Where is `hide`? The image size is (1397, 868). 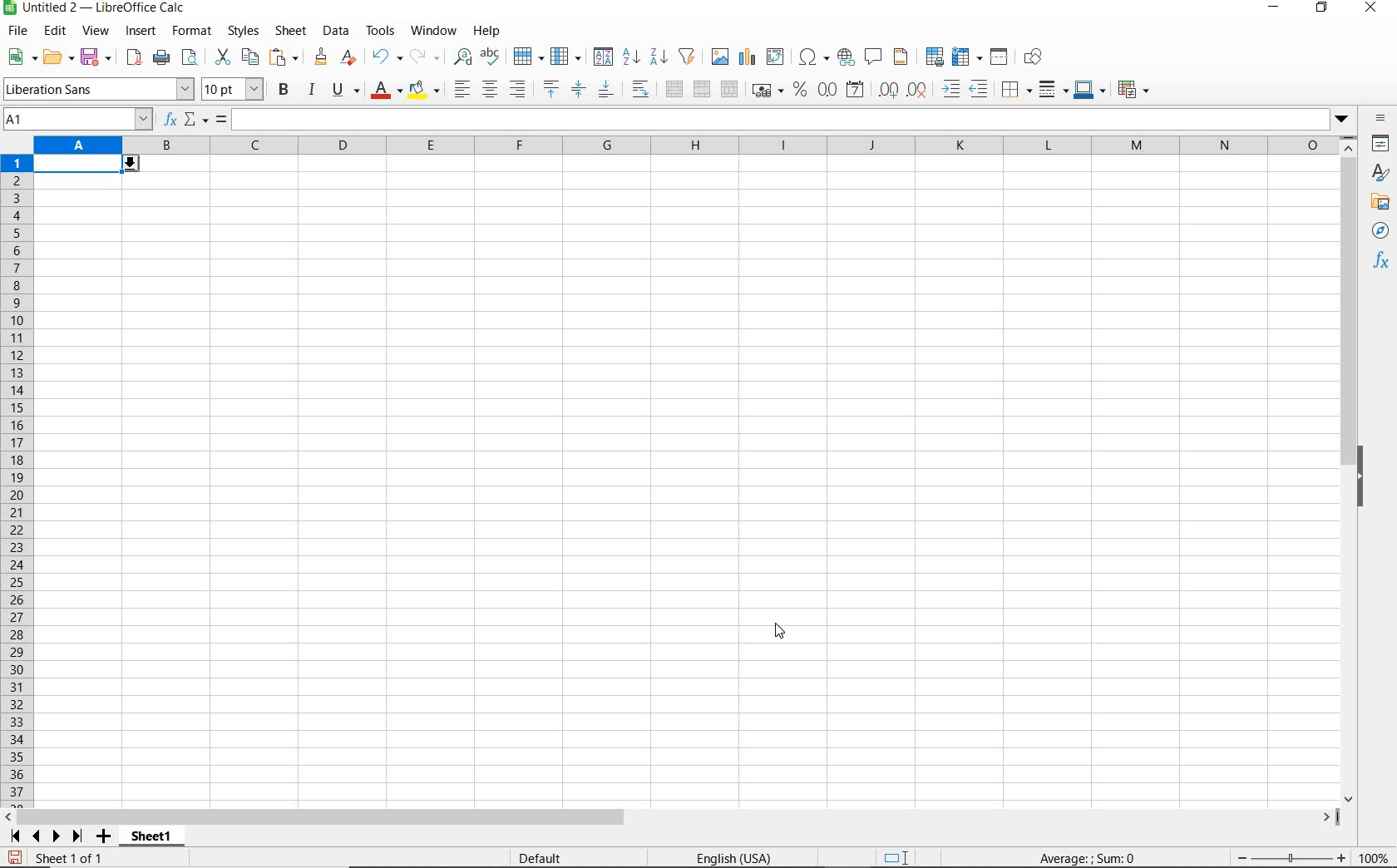
hide is located at coordinates (1362, 479).